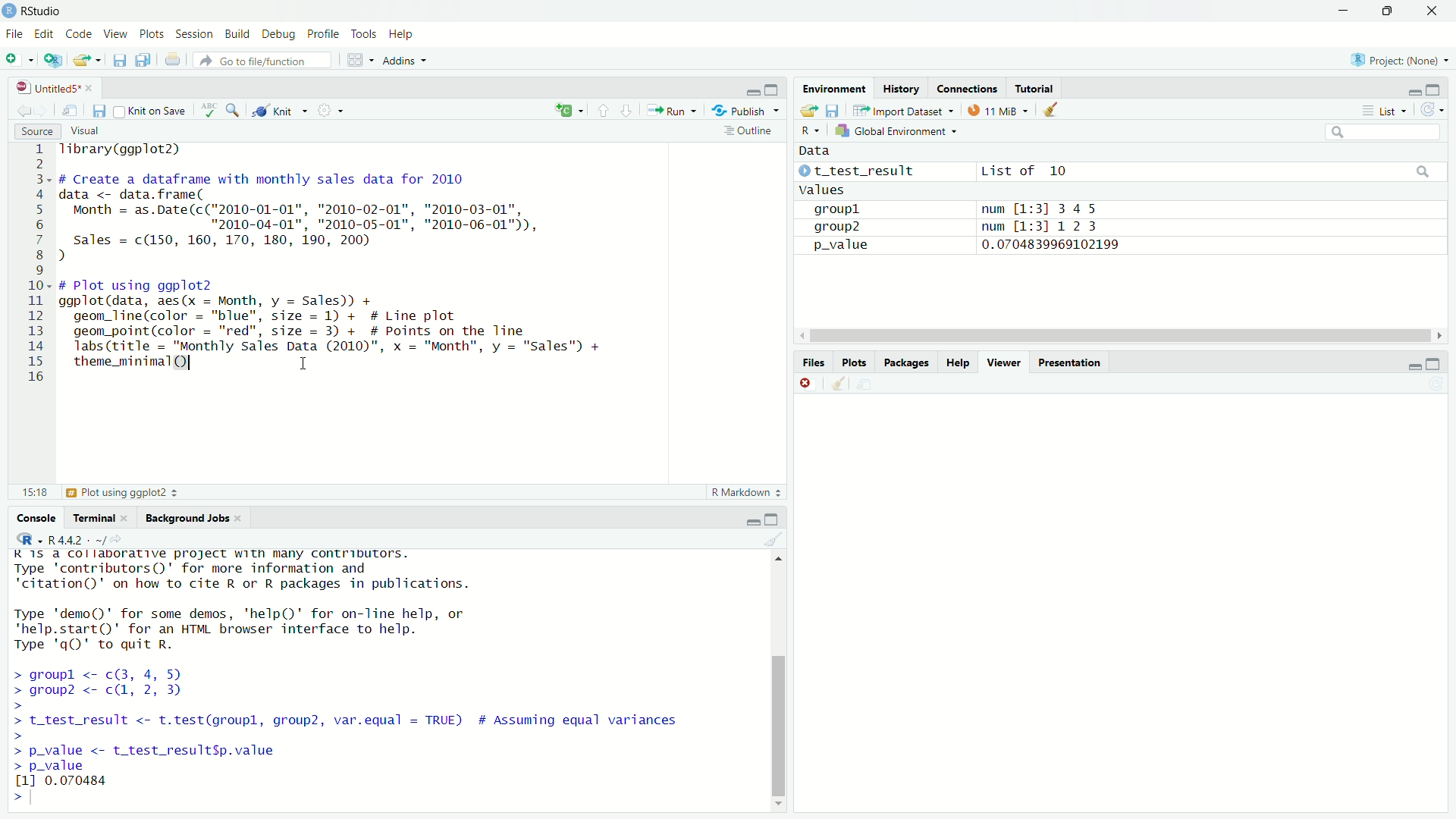 The image size is (1456, 819). What do you see at coordinates (1413, 89) in the screenshot?
I see `minimise` at bounding box center [1413, 89].